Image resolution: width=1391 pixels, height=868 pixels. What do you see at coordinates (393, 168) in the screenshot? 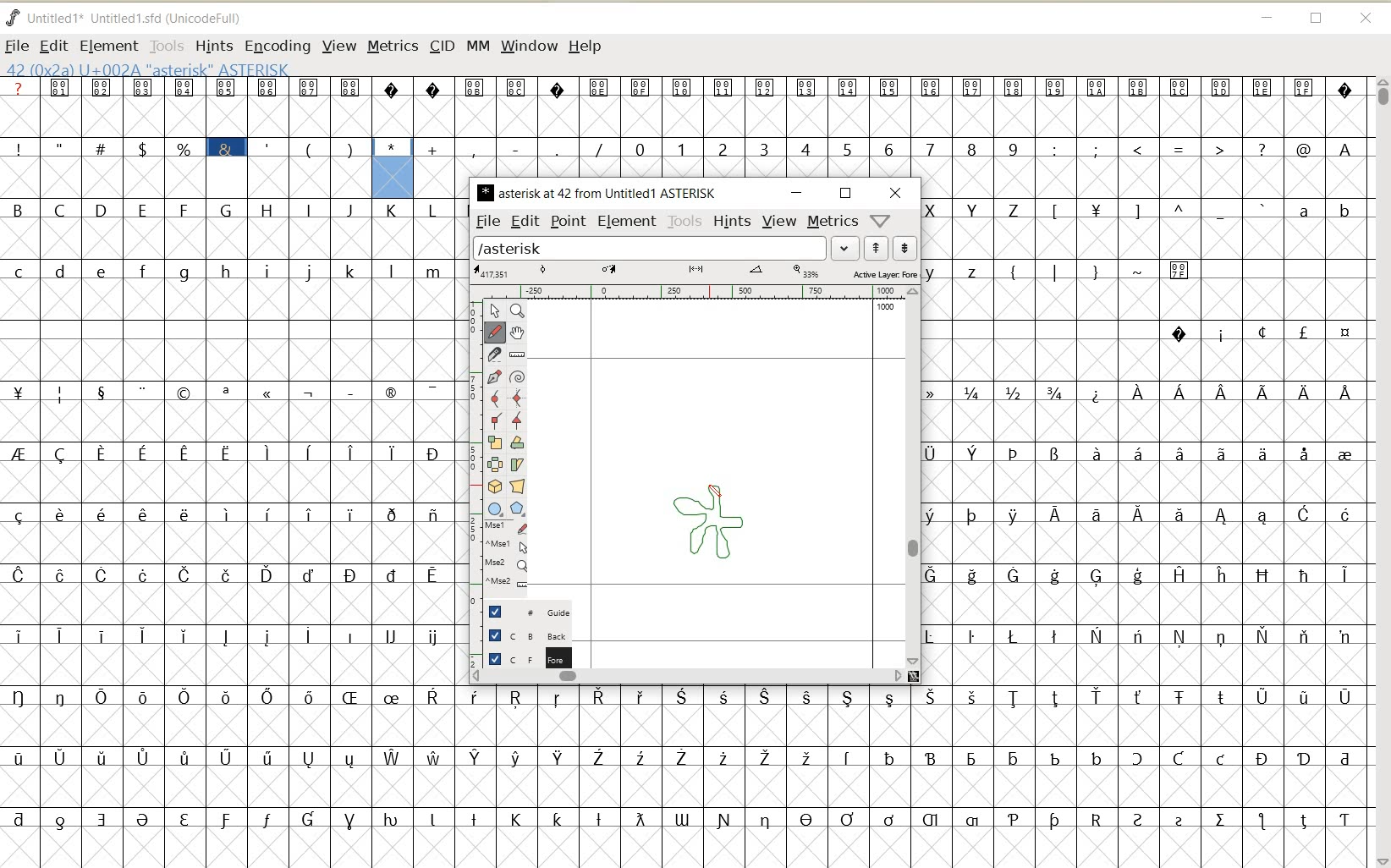
I see `glyph selected` at bounding box center [393, 168].